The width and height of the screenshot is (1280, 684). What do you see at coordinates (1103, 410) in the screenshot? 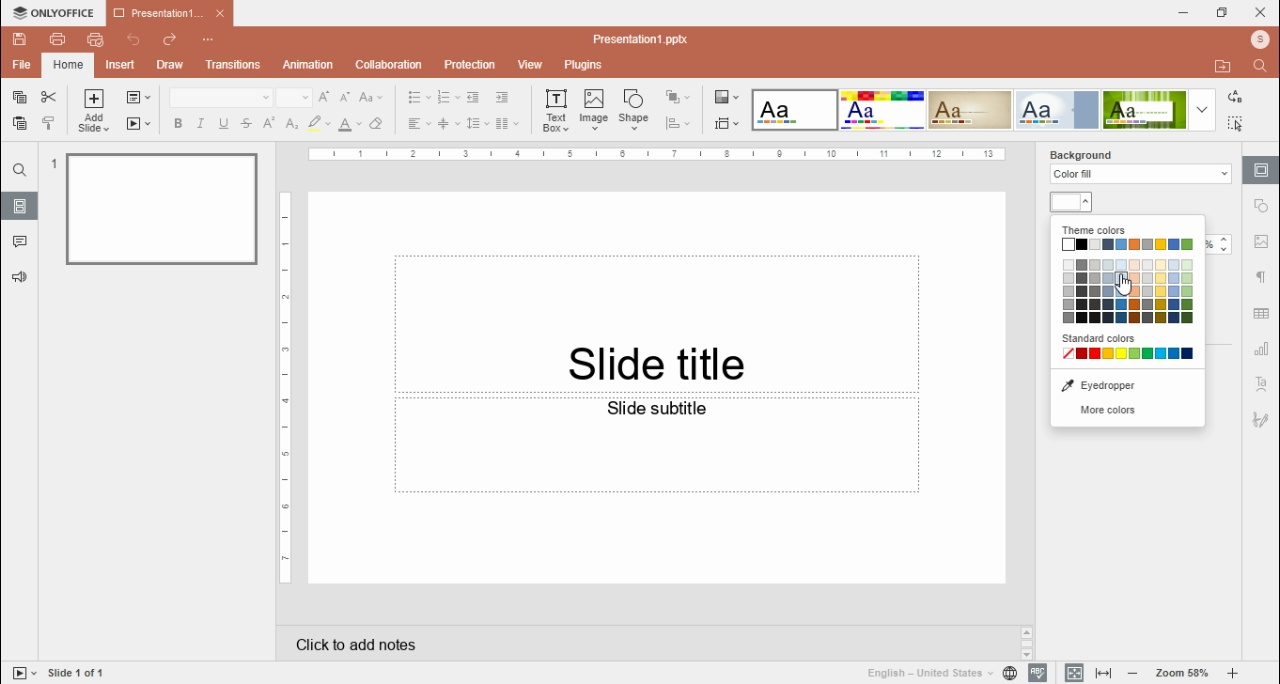
I see `more colors` at bounding box center [1103, 410].